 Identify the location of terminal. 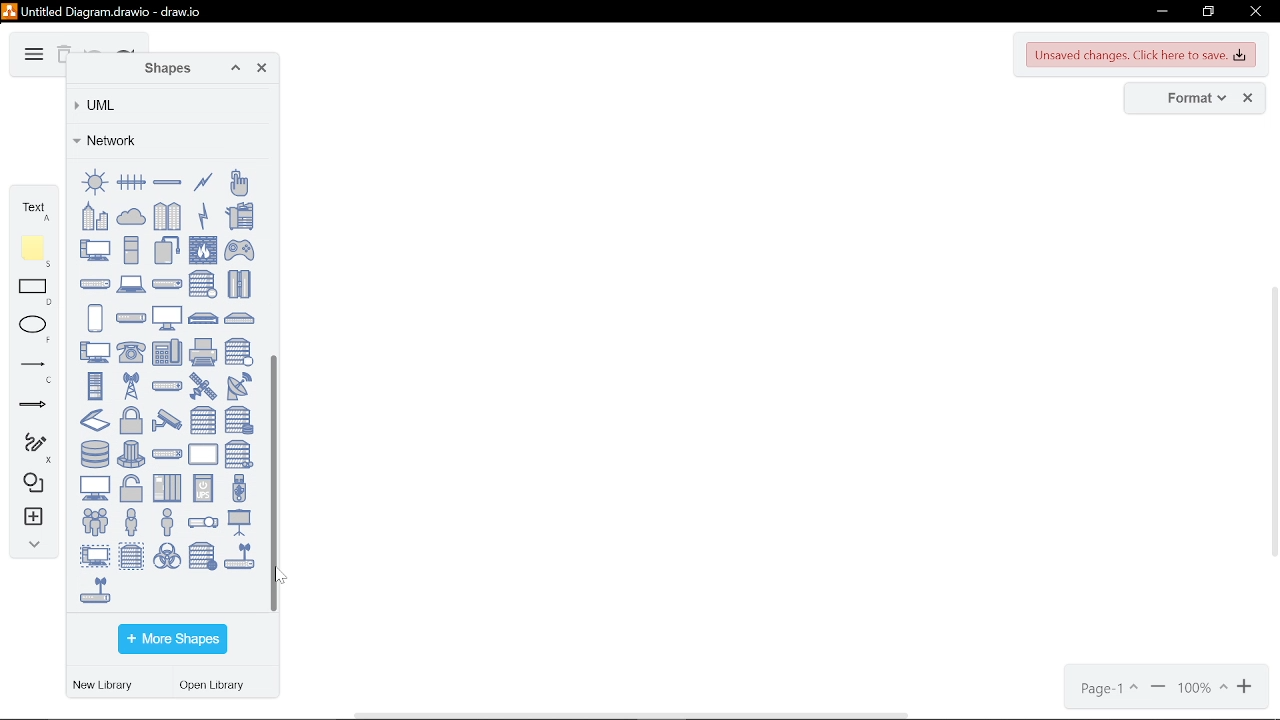
(95, 488).